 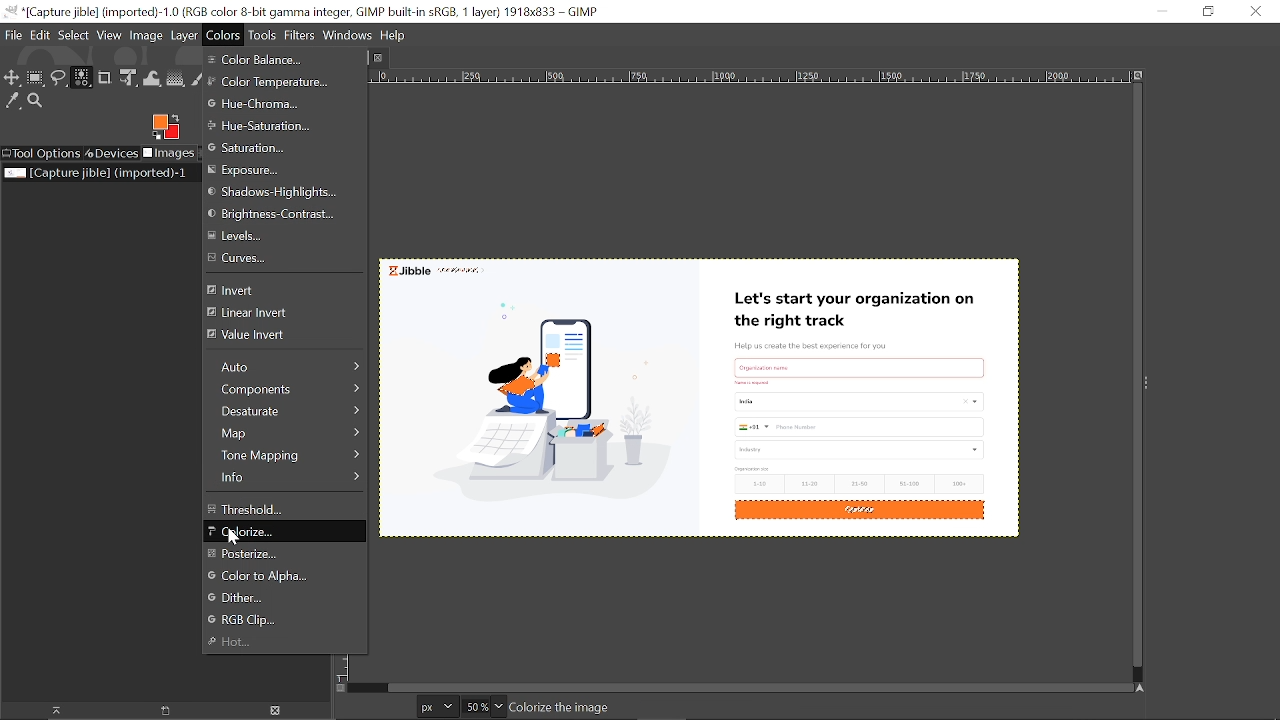 I want to click on Linear invert, so click(x=271, y=314).